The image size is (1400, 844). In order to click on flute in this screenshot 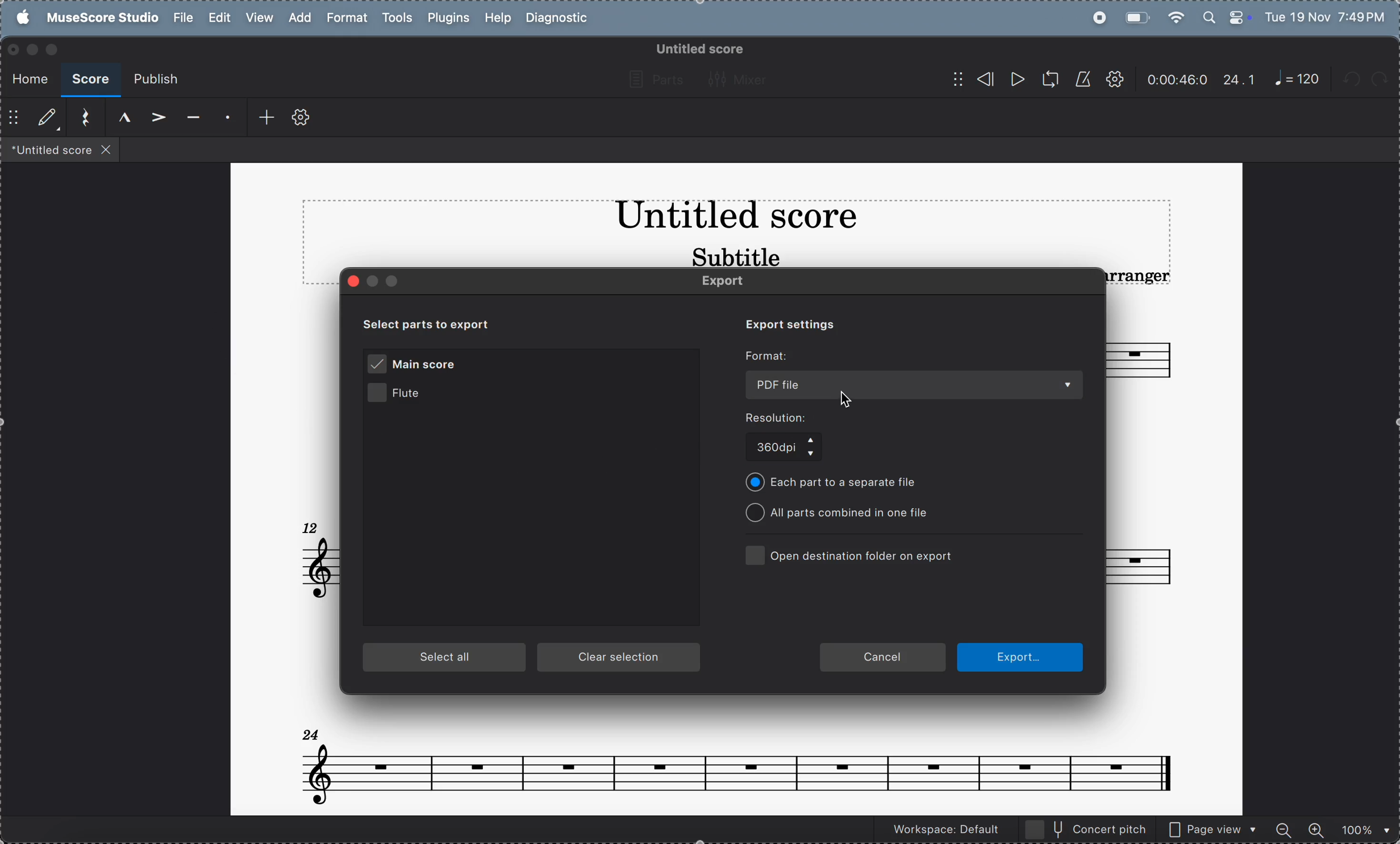, I will do `click(413, 395)`.